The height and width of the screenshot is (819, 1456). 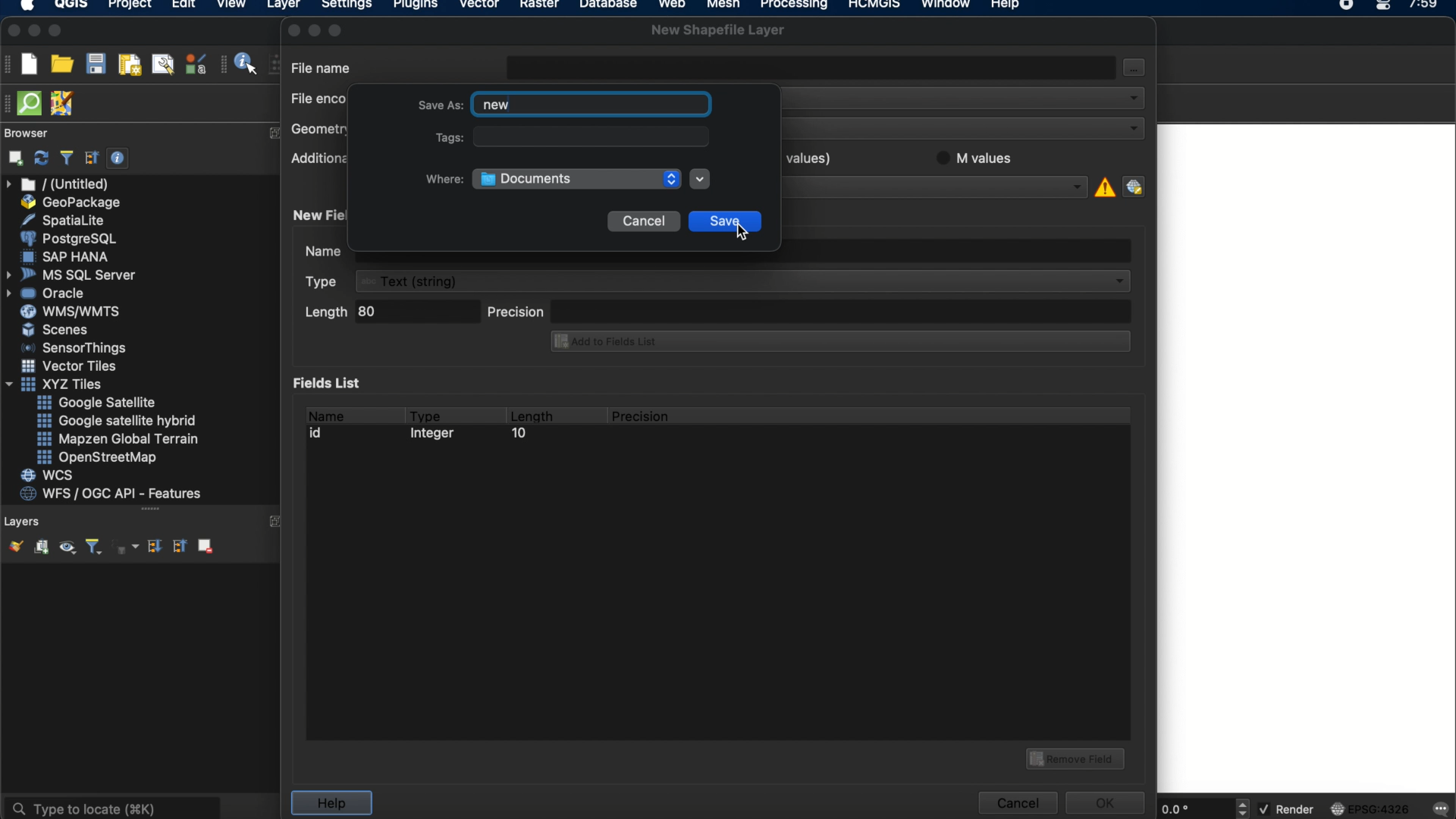 I want to click on crs info, so click(x=1103, y=185).